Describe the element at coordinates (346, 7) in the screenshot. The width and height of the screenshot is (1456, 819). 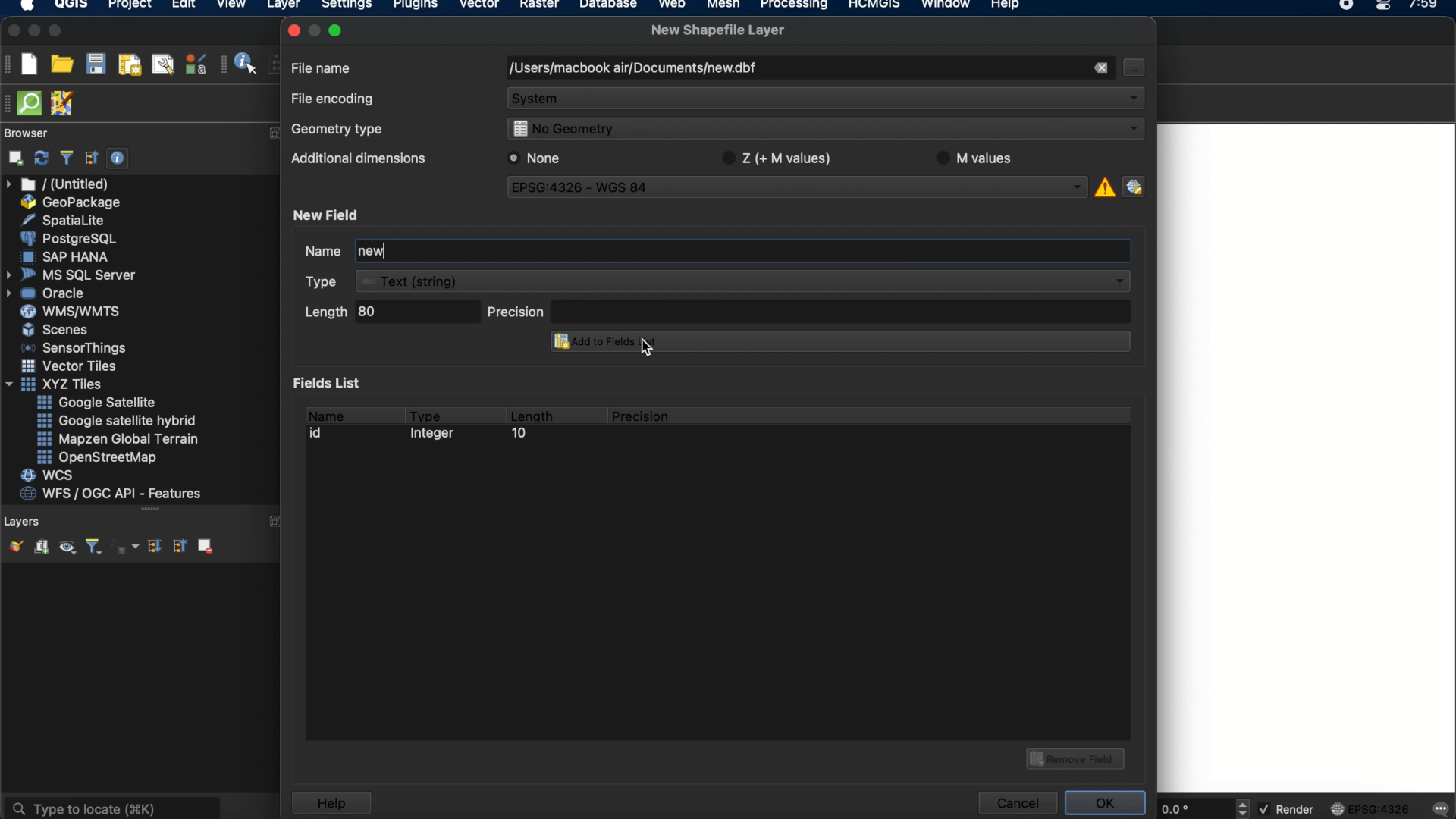
I see `settings` at that location.